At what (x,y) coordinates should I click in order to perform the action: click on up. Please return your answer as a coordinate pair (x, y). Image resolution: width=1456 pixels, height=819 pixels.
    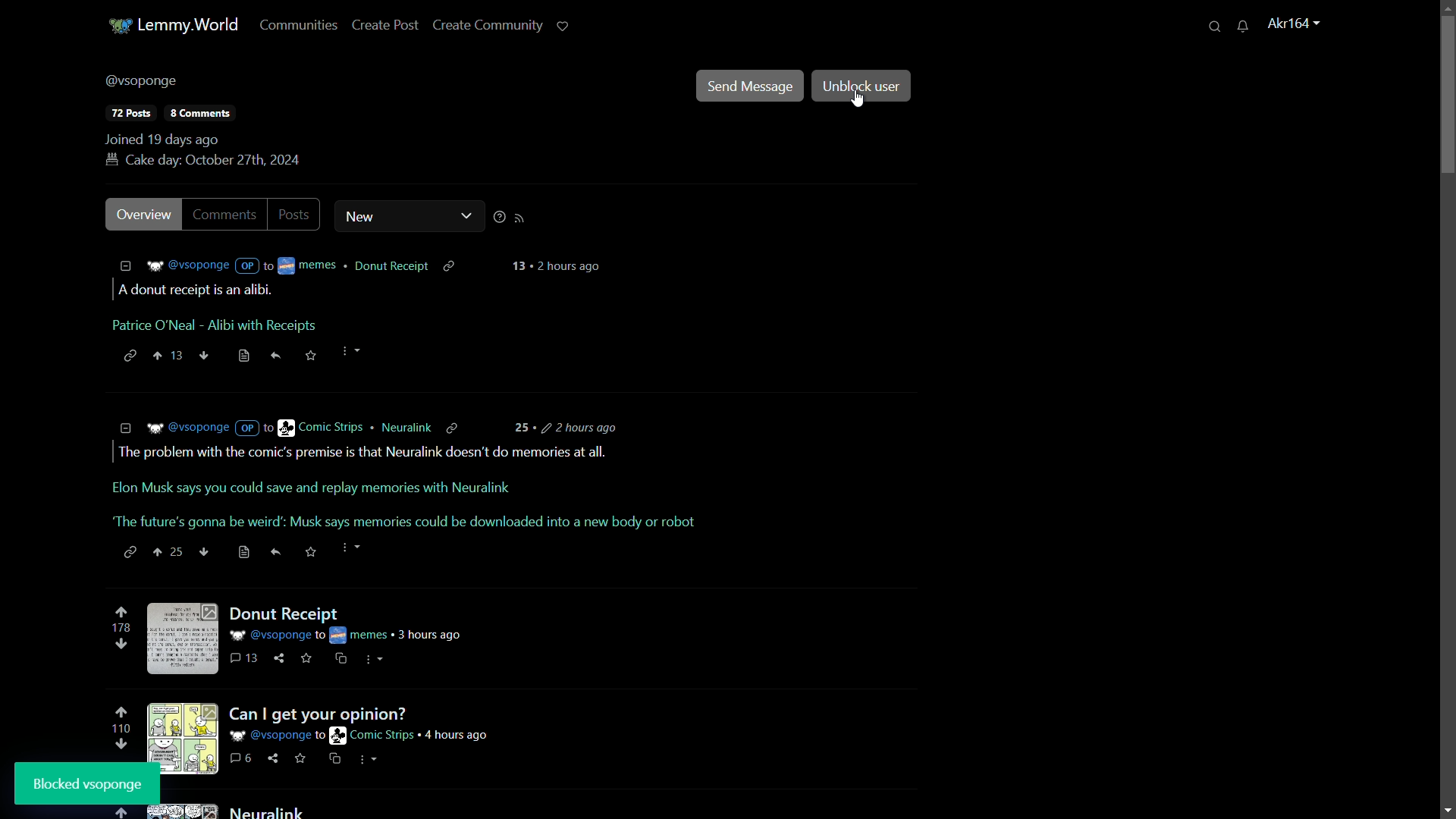
    Looking at the image, I should click on (171, 552).